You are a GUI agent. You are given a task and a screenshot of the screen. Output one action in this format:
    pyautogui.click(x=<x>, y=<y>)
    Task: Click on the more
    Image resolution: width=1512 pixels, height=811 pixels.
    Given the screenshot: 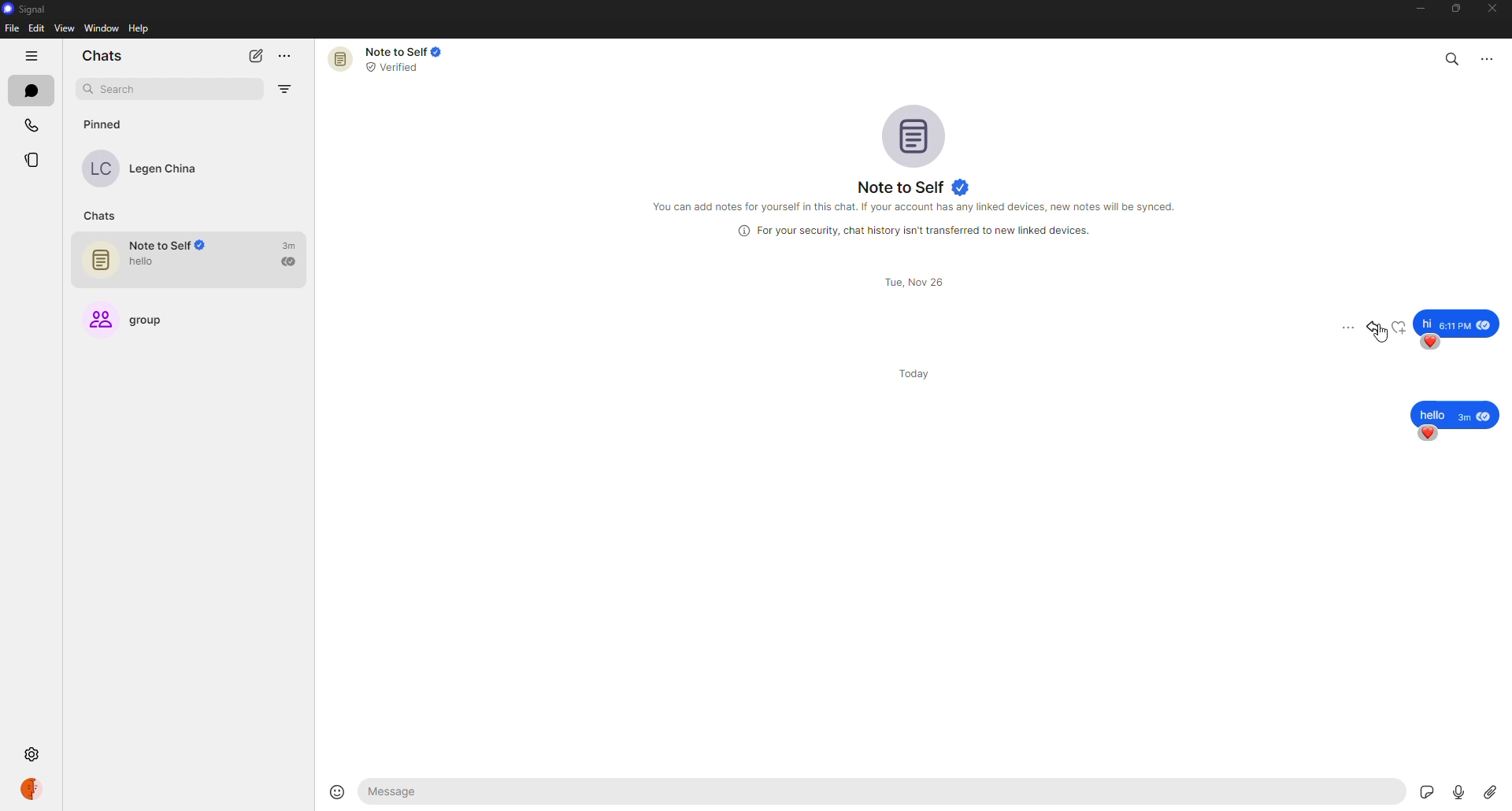 What is the action you would take?
    pyautogui.click(x=1488, y=58)
    